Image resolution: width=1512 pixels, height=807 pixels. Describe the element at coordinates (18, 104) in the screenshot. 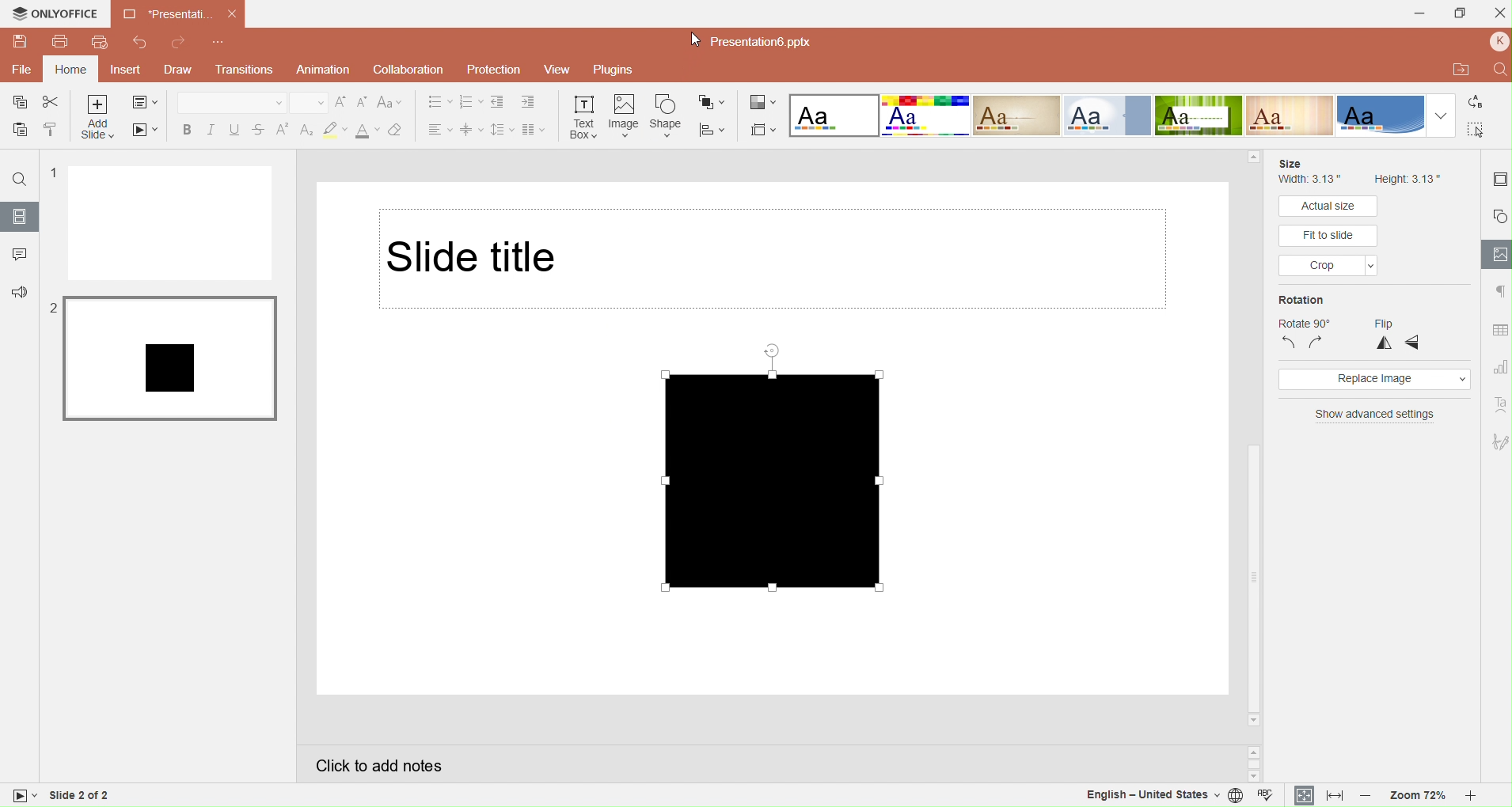

I see `Copy` at that location.